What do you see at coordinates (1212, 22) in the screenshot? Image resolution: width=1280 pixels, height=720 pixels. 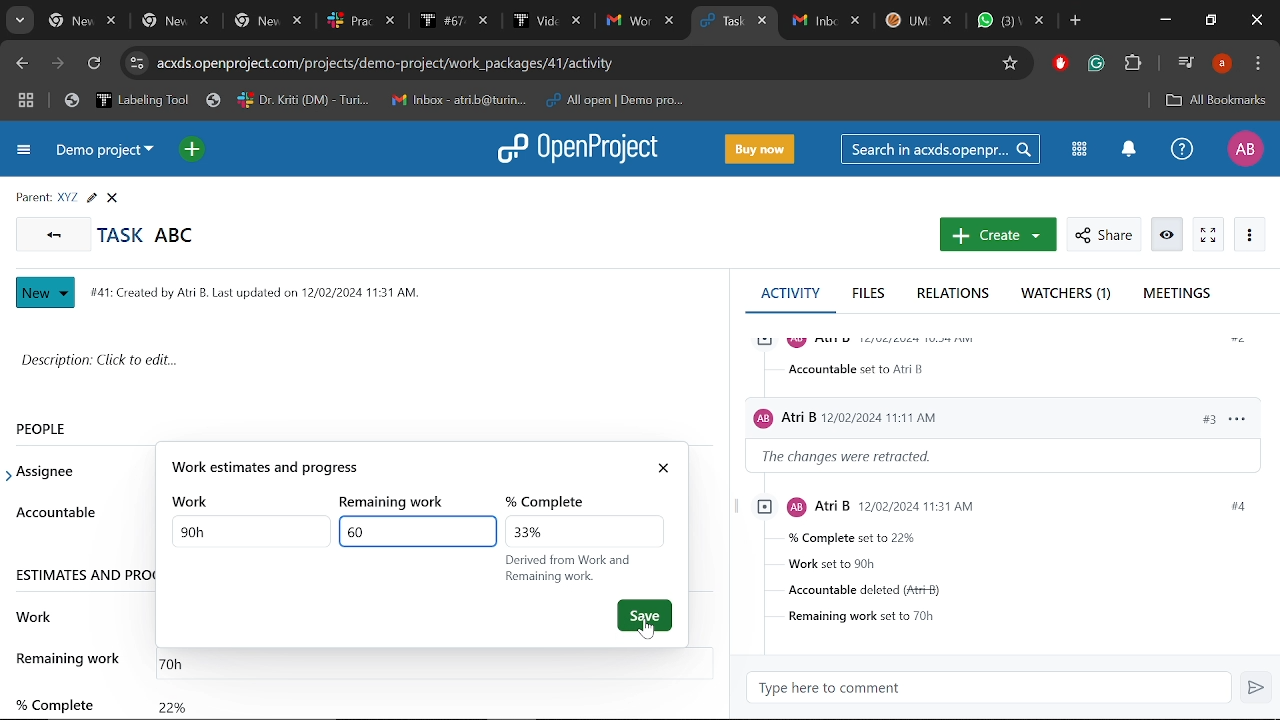 I see `Restore down` at bounding box center [1212, 22].